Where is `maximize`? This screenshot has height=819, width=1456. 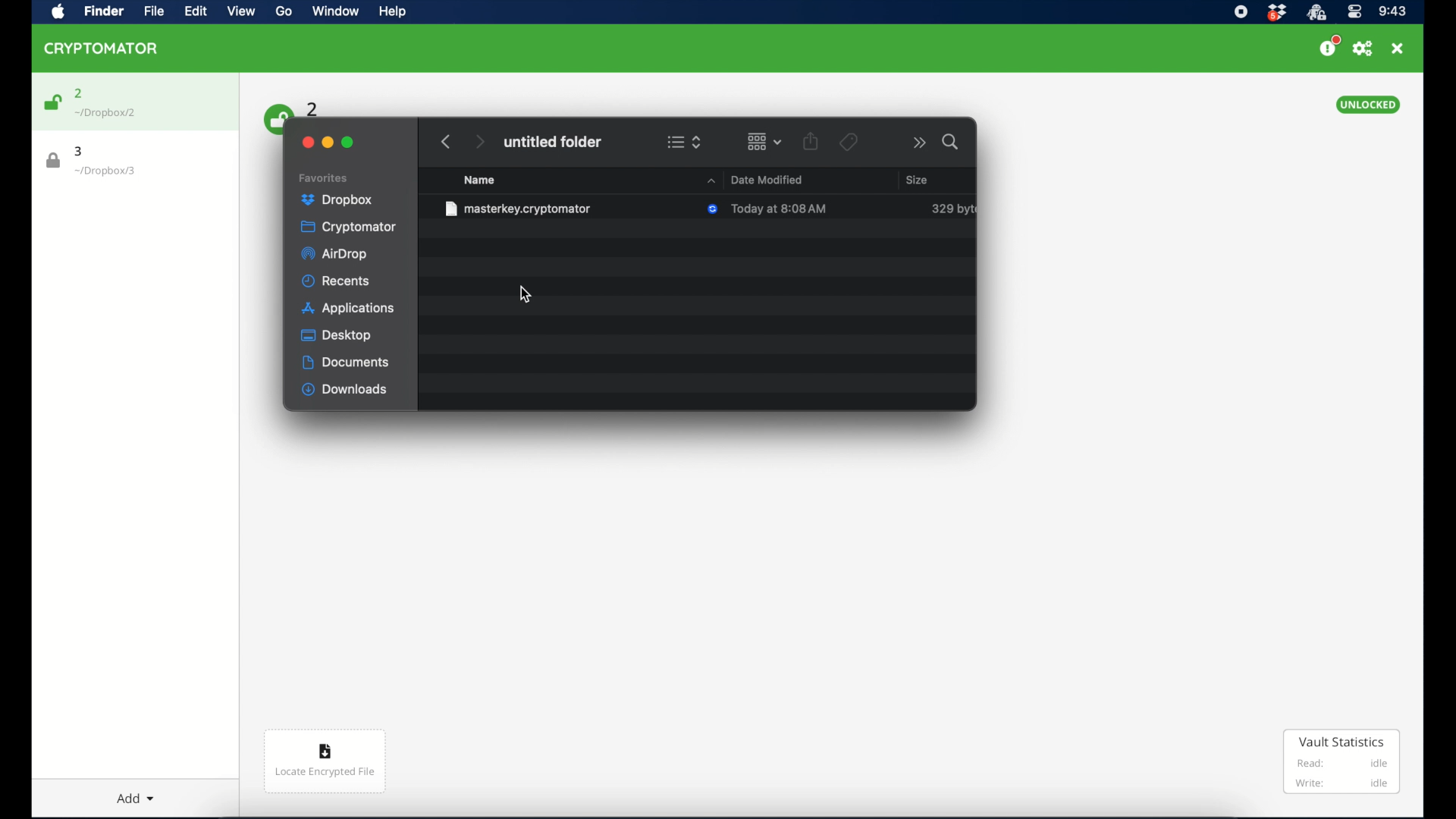
maximize is located at coordinates (348, 143).